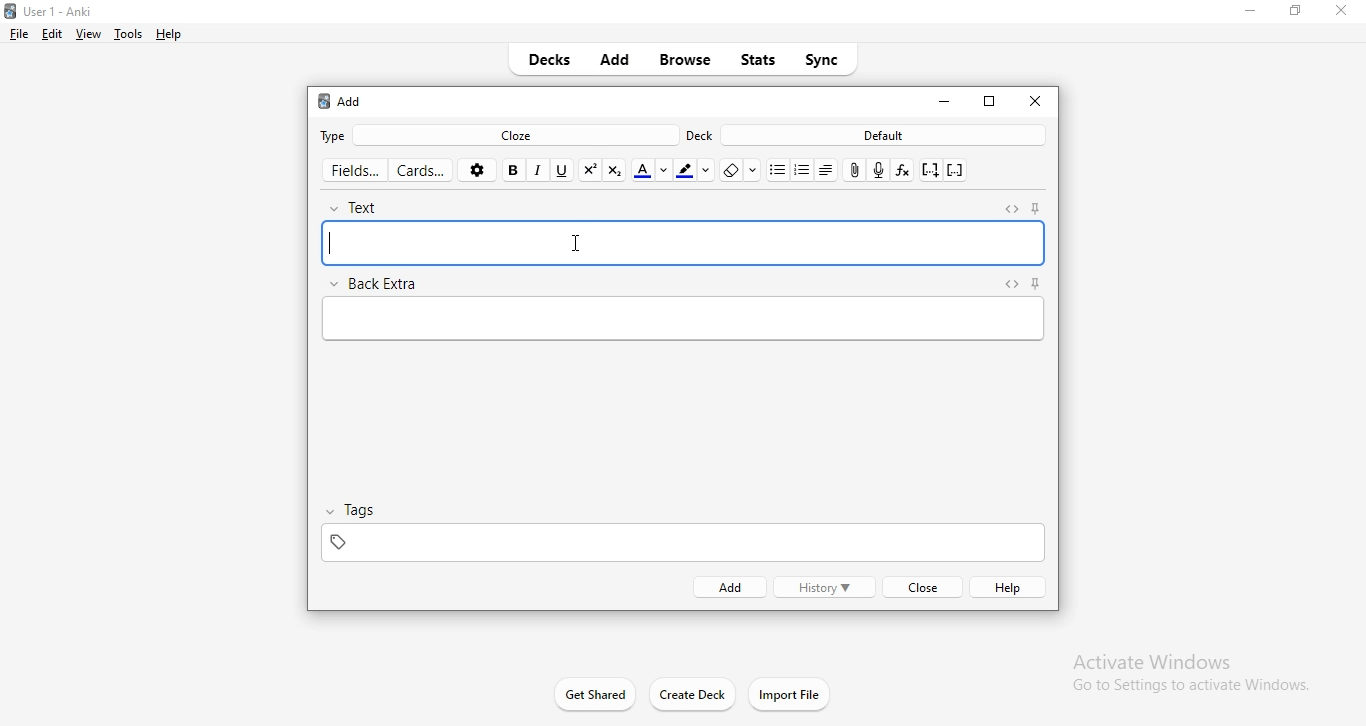 The image size is (1366, 726). Describe the element at coordinates (943, 101) in the screenshot. I see `close` at that location.